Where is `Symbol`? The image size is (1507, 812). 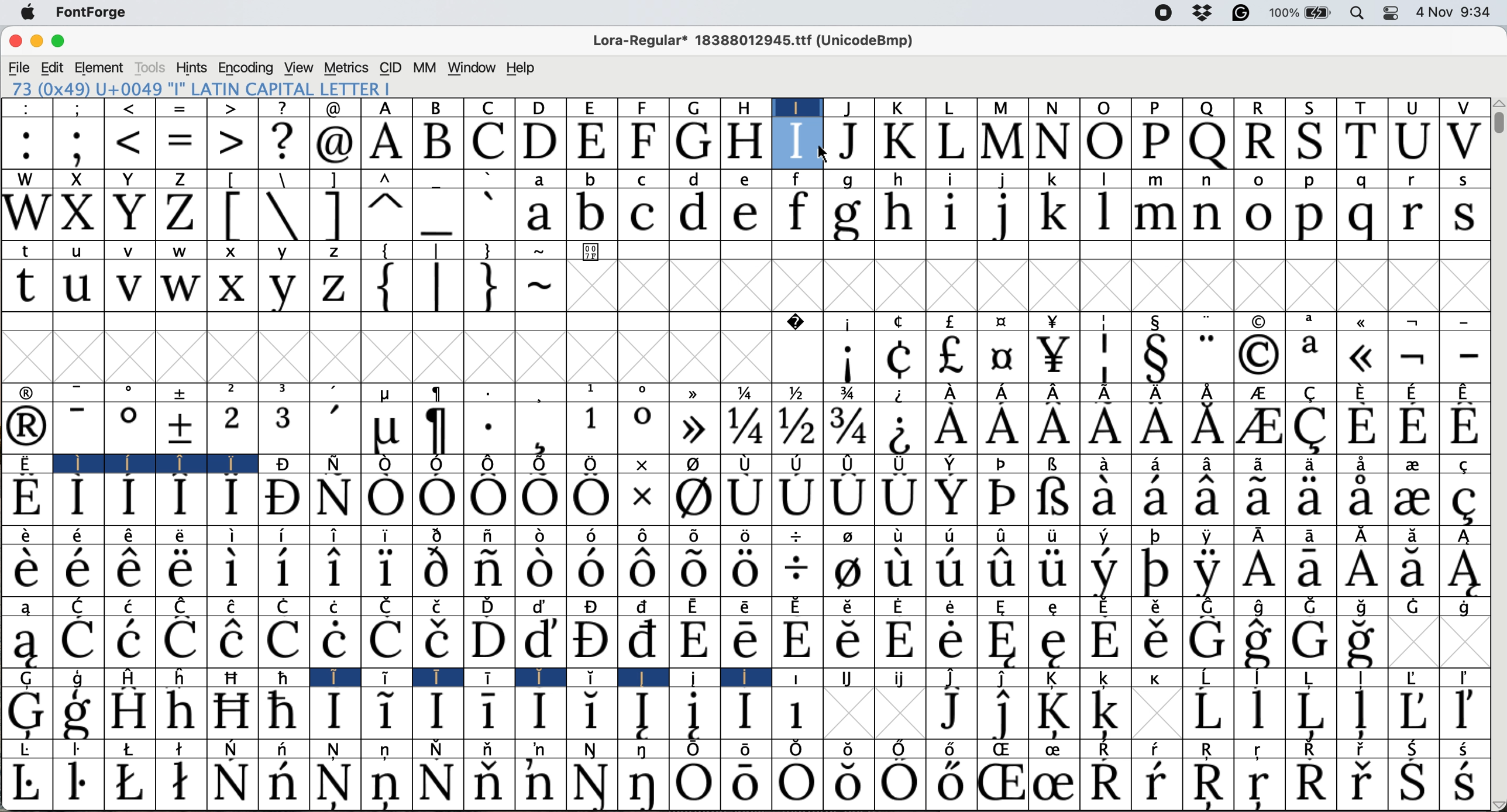
Symbol is located at coordinates (1106, 356).